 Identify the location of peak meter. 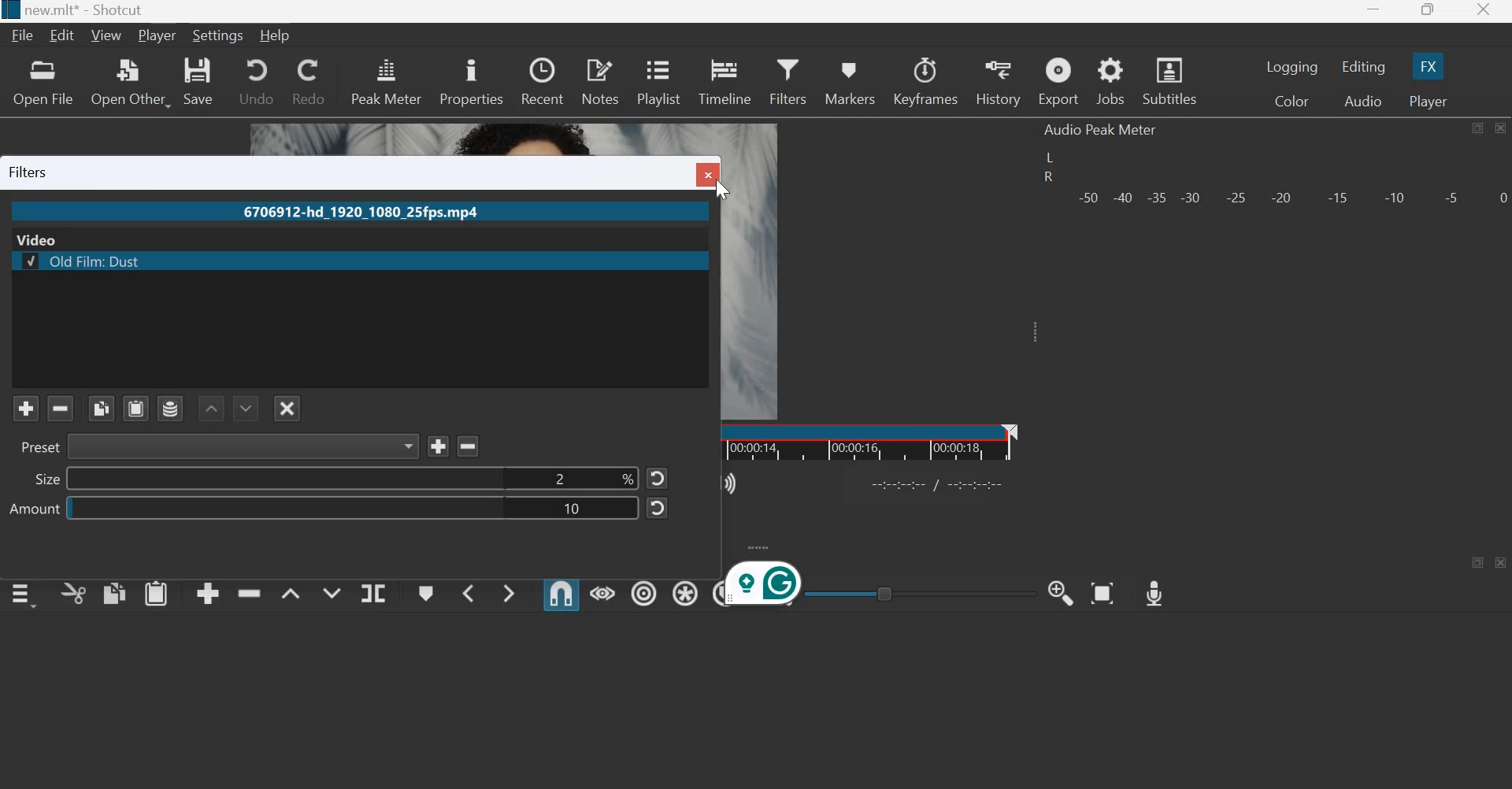
(387, 80).